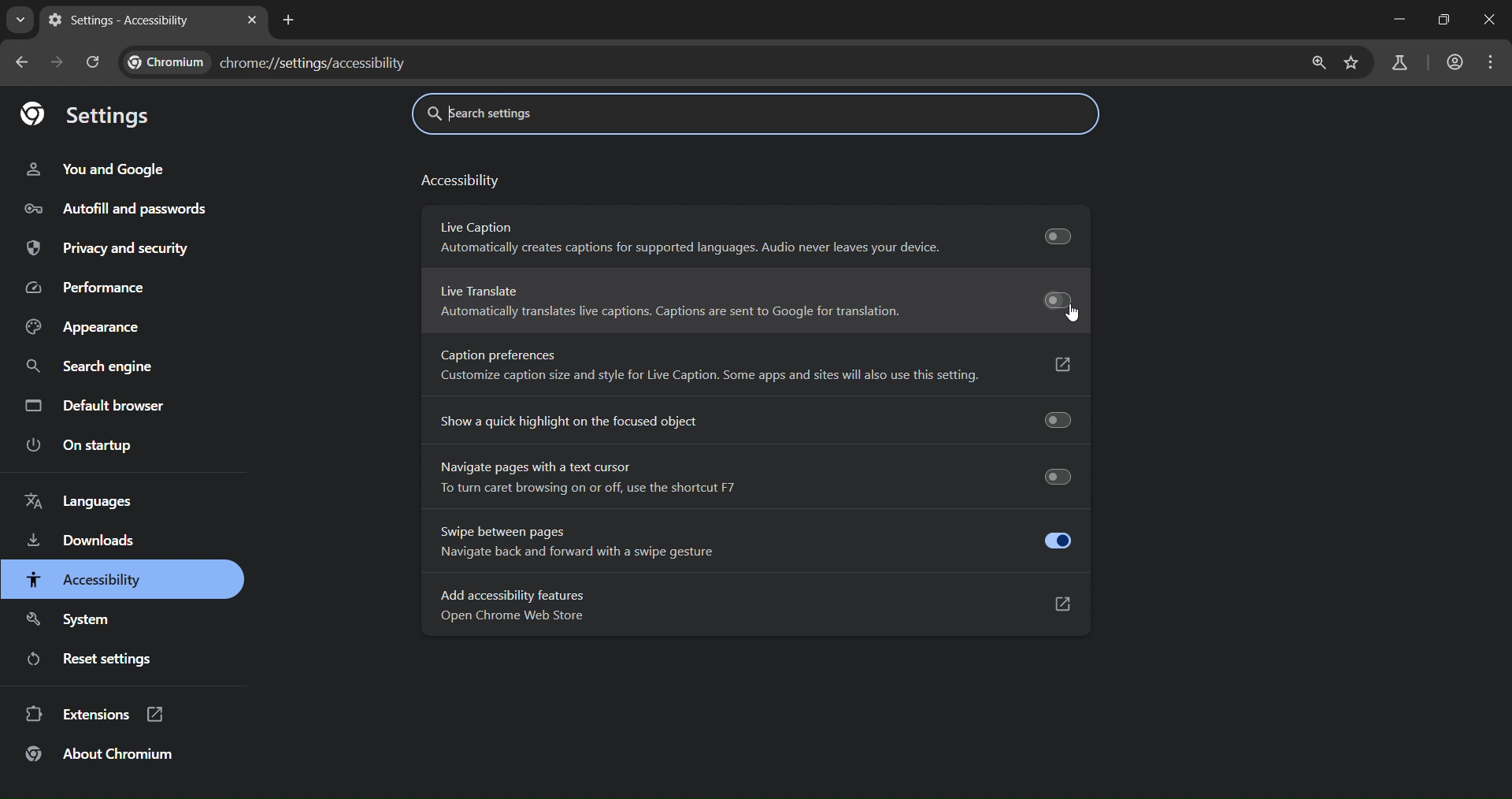 This screenshot has width=1512, height=799. Describe the element at coordinates (93, 367) in the screenshot. I see `search engine` at that location.